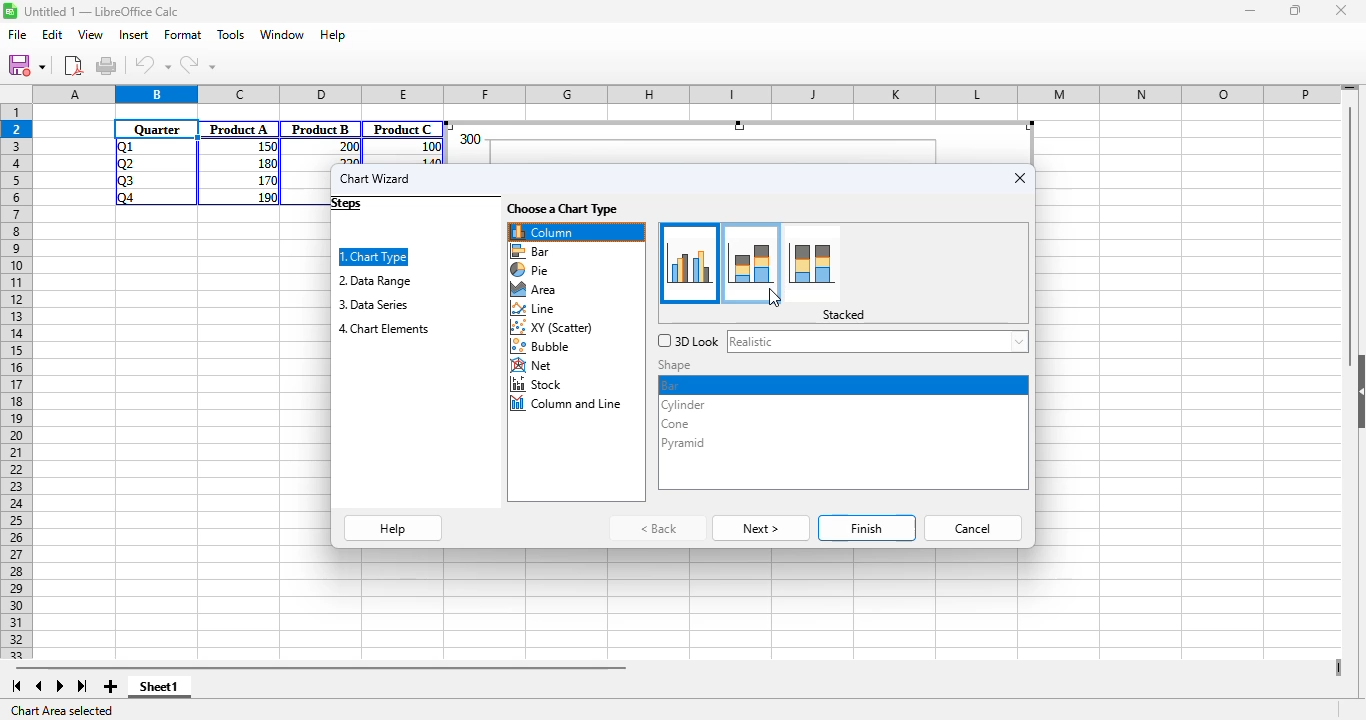 This screenshot has height=720, width=1366. I want to click on 1. chart type, so click(373, 256).